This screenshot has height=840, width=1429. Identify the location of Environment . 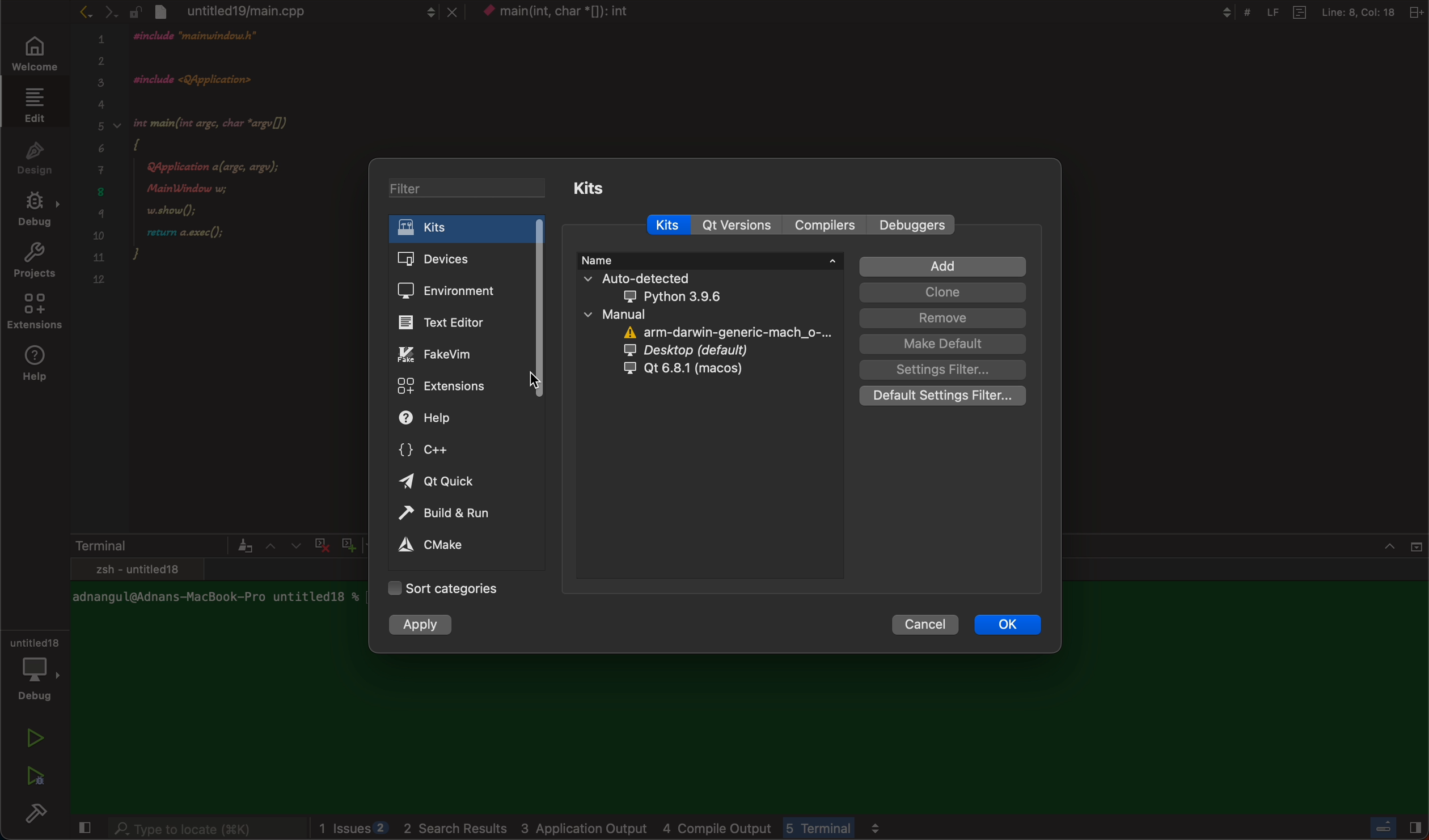
(462, 289).